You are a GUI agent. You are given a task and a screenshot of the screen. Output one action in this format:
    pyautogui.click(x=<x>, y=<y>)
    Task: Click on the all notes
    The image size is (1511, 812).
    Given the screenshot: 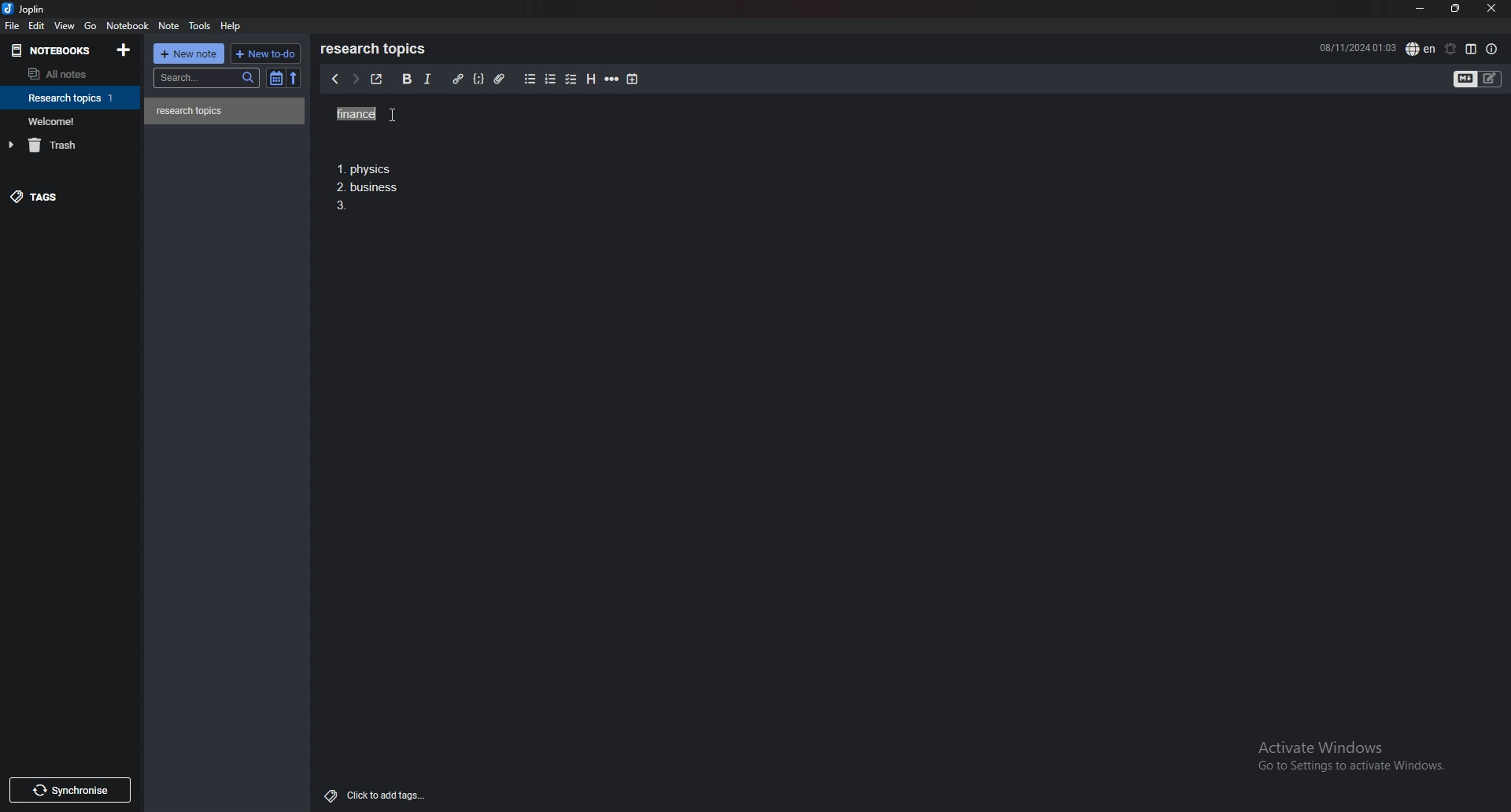 What is the action you would take?
    pyautogui.click(x=65, y=75)
    